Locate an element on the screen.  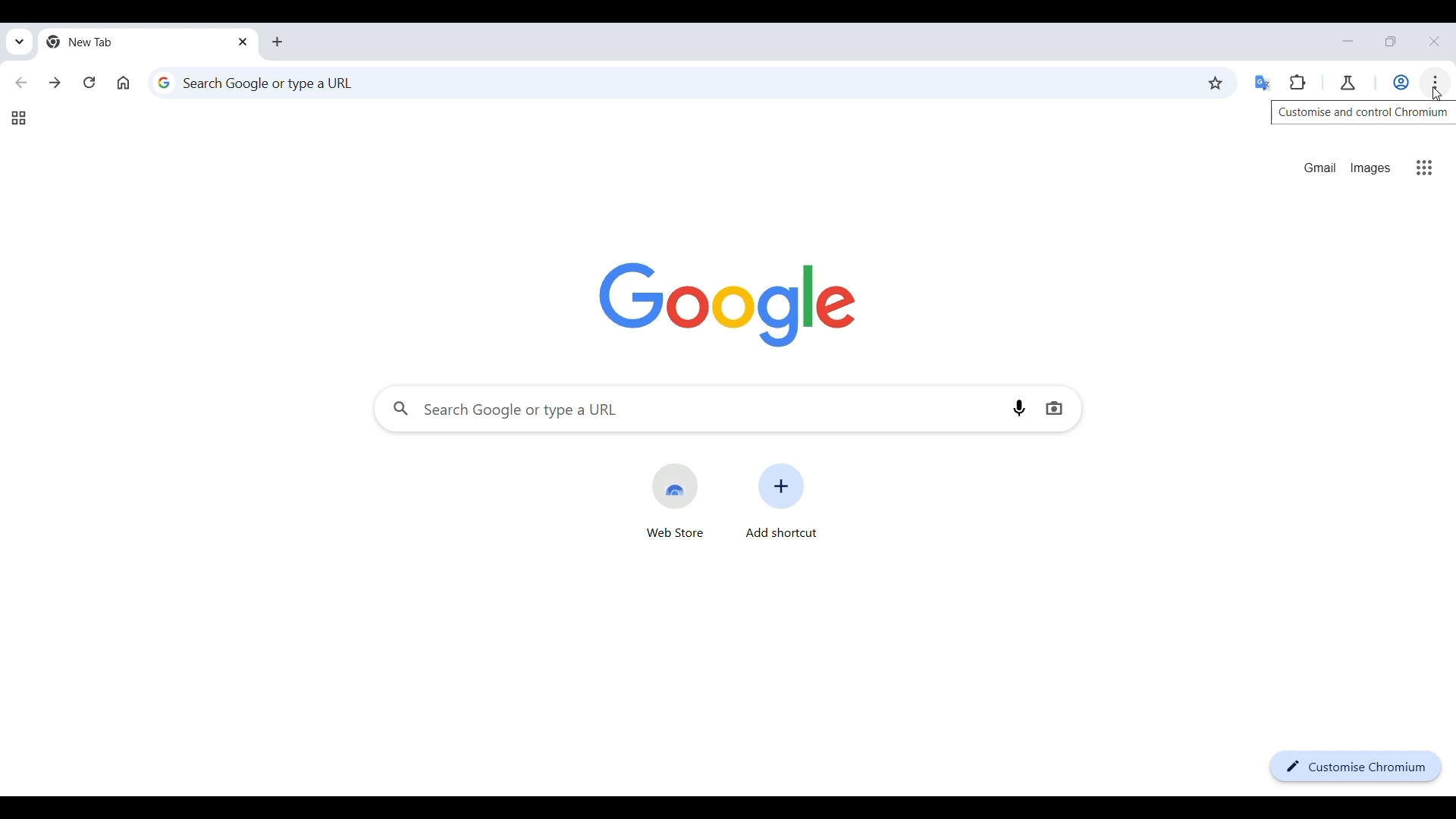
Work is located at coordinates (1401, 82).